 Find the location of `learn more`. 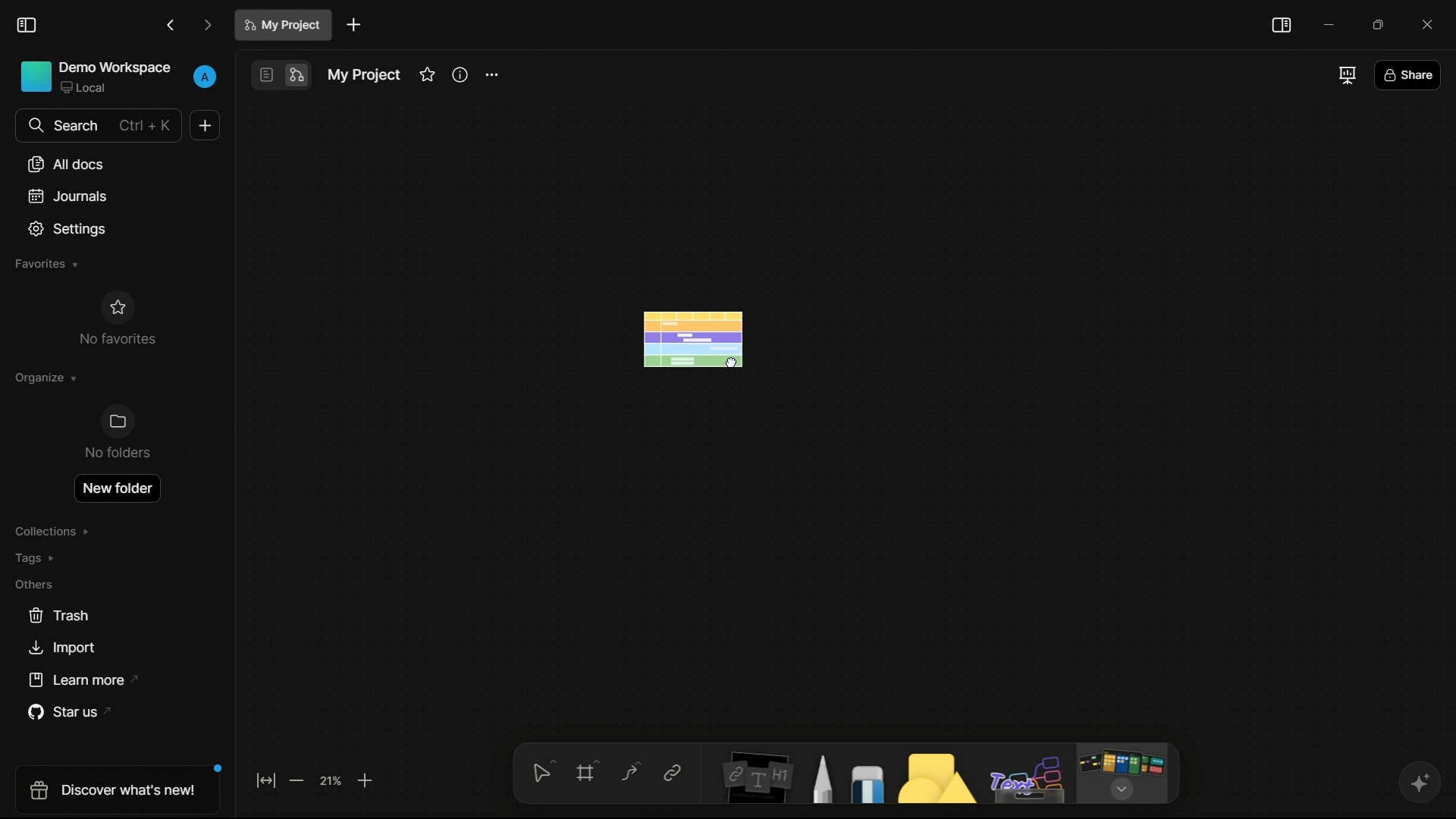

learn more is located at coordinates (74, 679).